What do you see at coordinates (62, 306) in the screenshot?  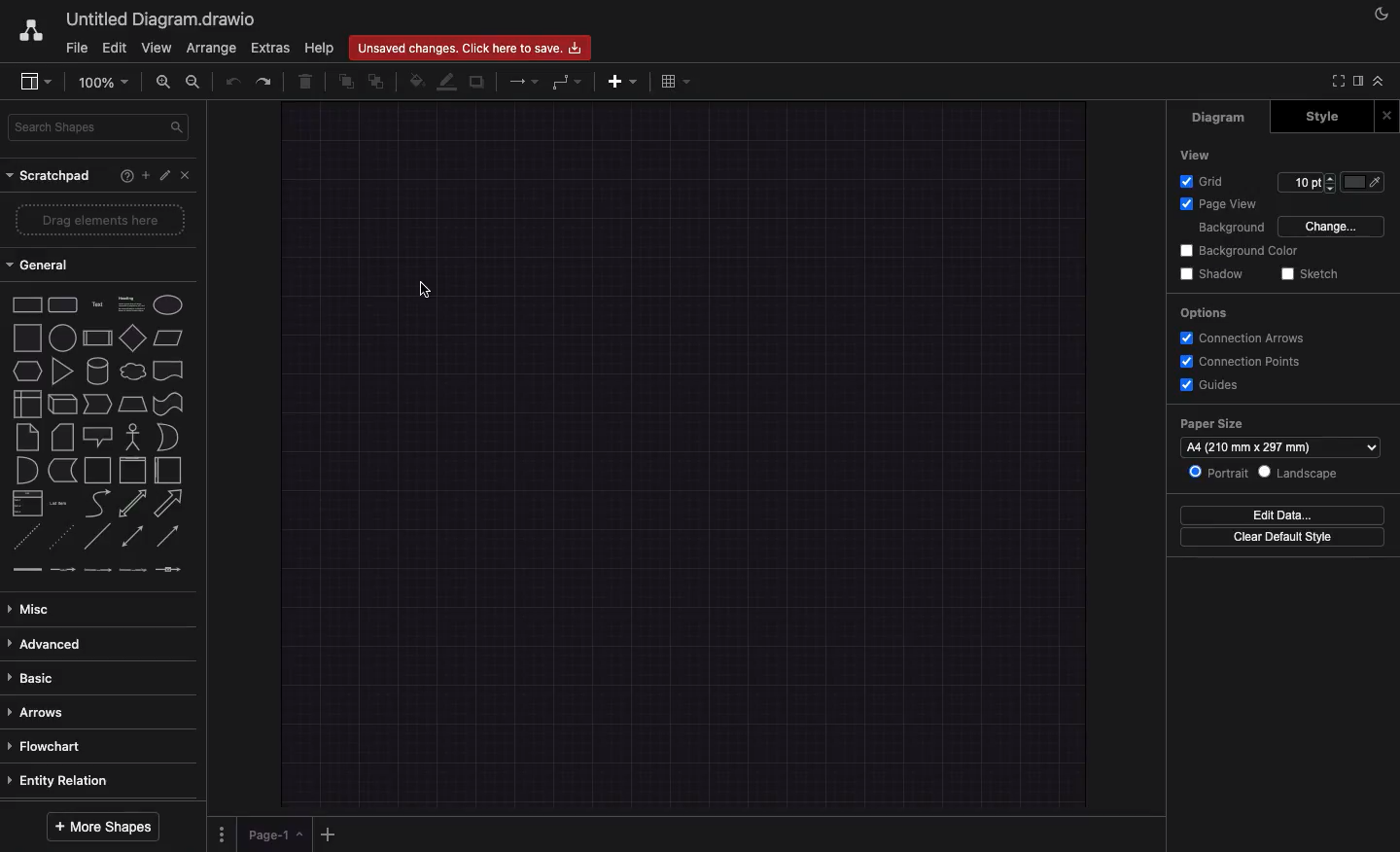 I see `rounded rectangle` at bounding box center [62, 306].